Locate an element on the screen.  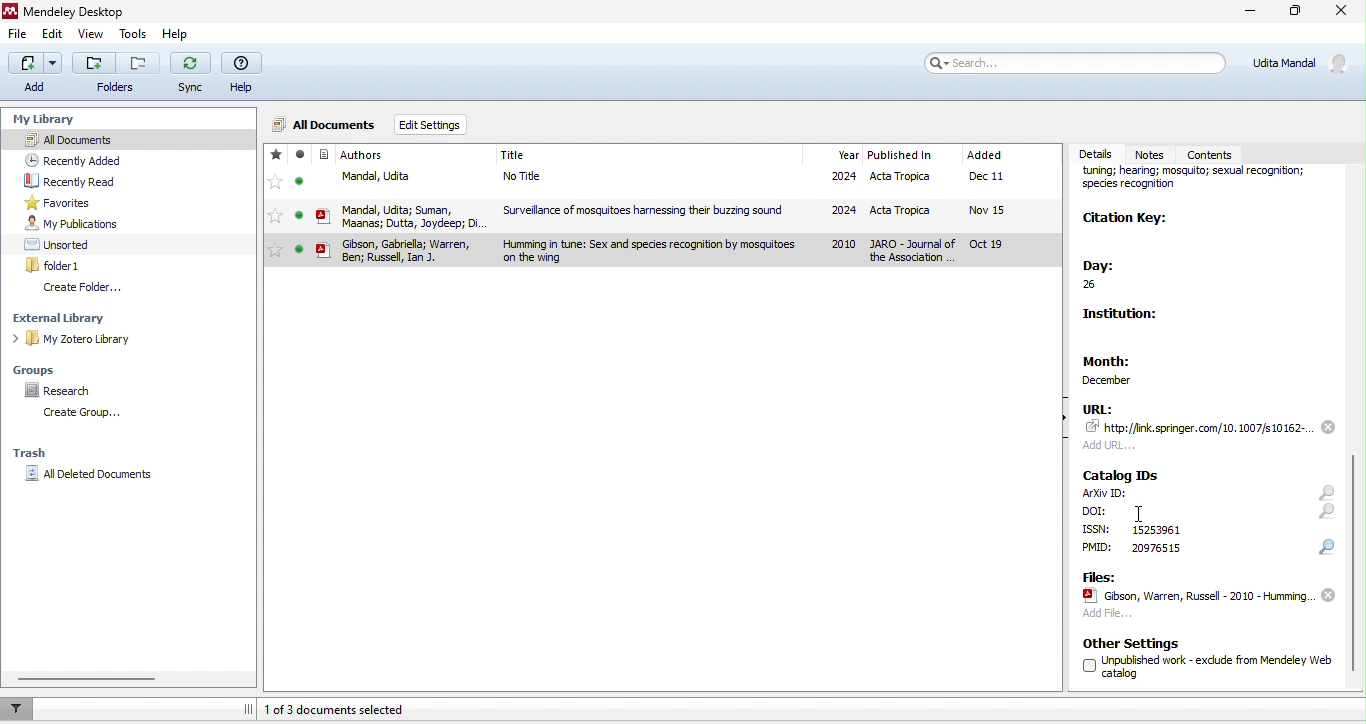
citation key is located at coordinates (1127, 220).